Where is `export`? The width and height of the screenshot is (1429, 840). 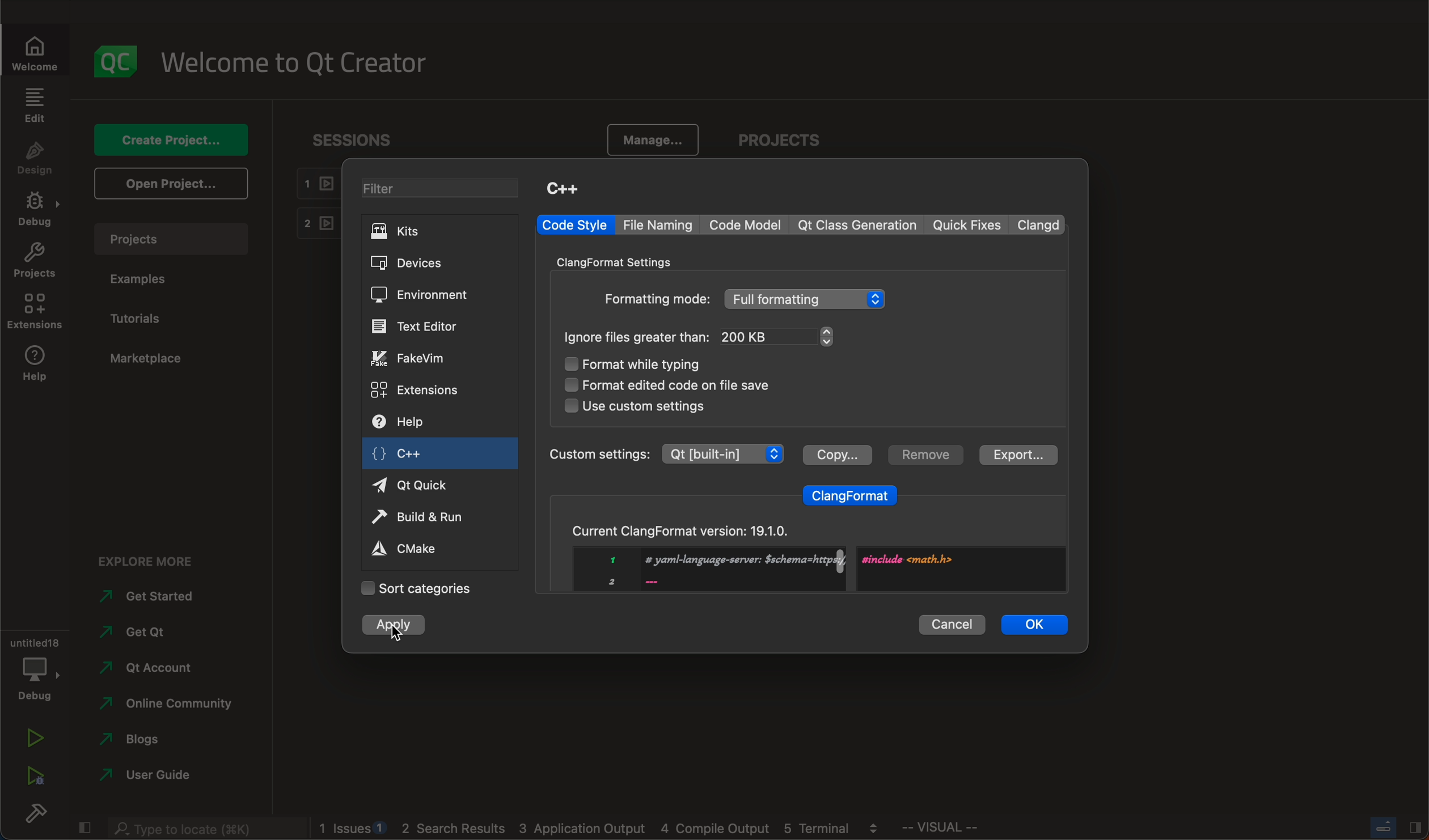
export is located at coordinates (1016, 455).